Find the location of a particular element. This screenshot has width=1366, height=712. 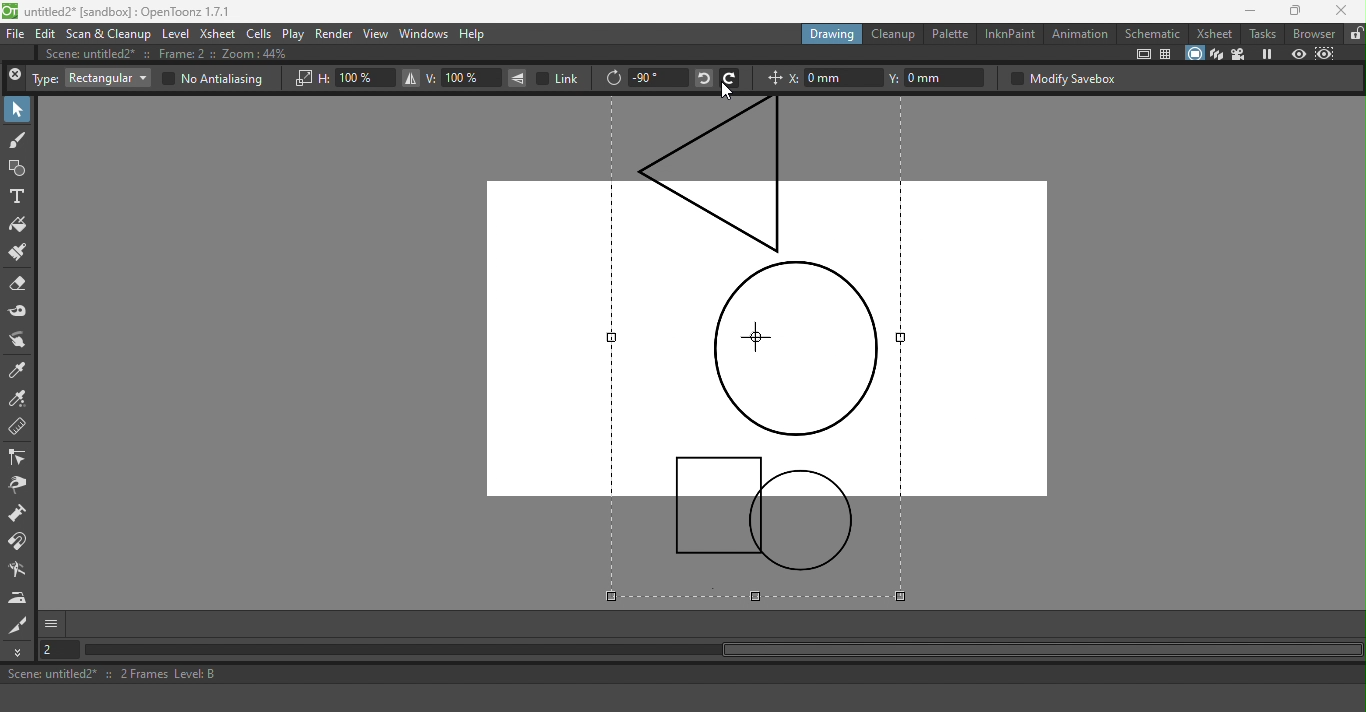

Style picker tool is located at coordinates (20, 370).